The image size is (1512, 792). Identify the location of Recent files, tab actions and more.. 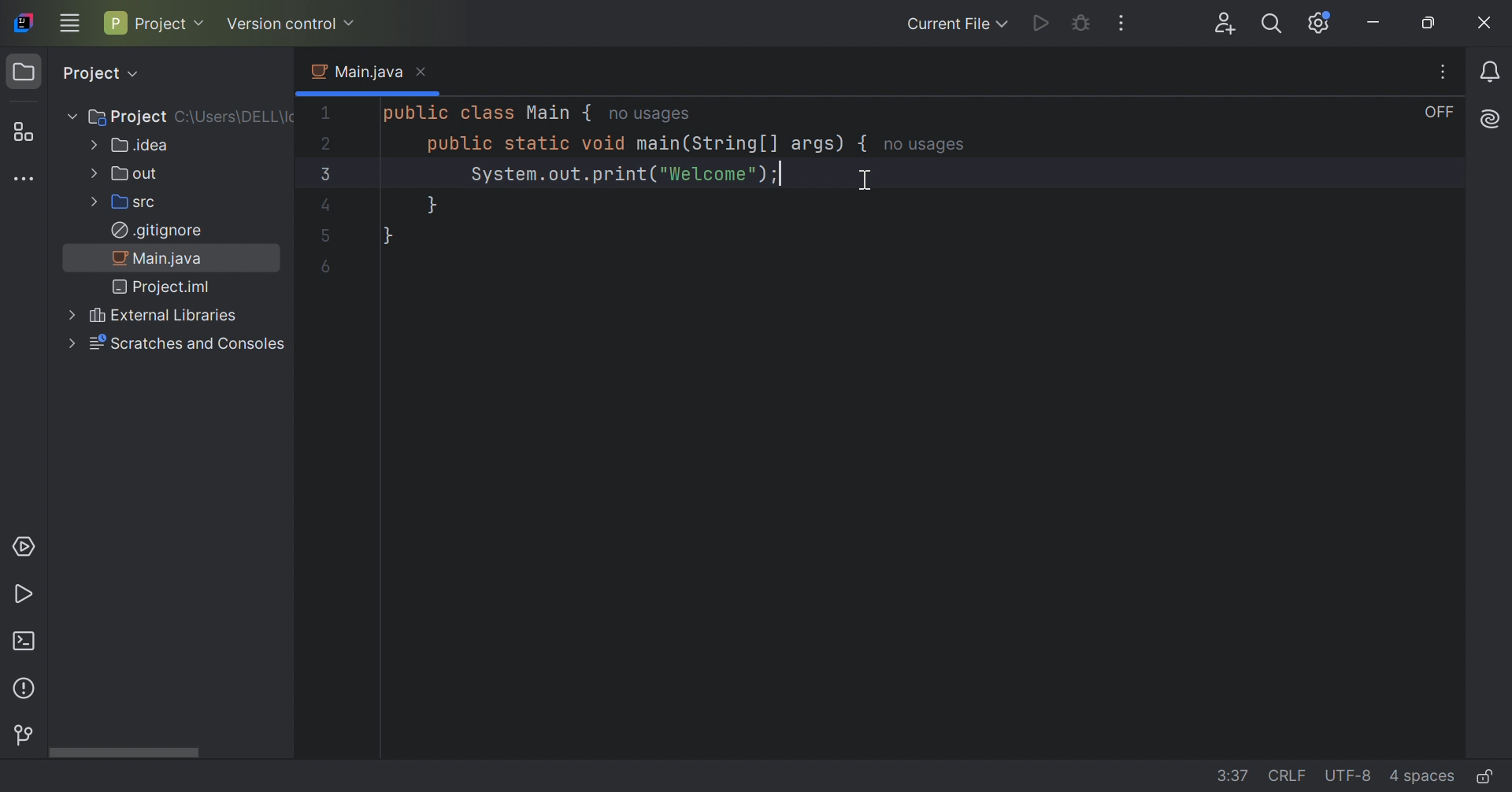
(1445, 72).